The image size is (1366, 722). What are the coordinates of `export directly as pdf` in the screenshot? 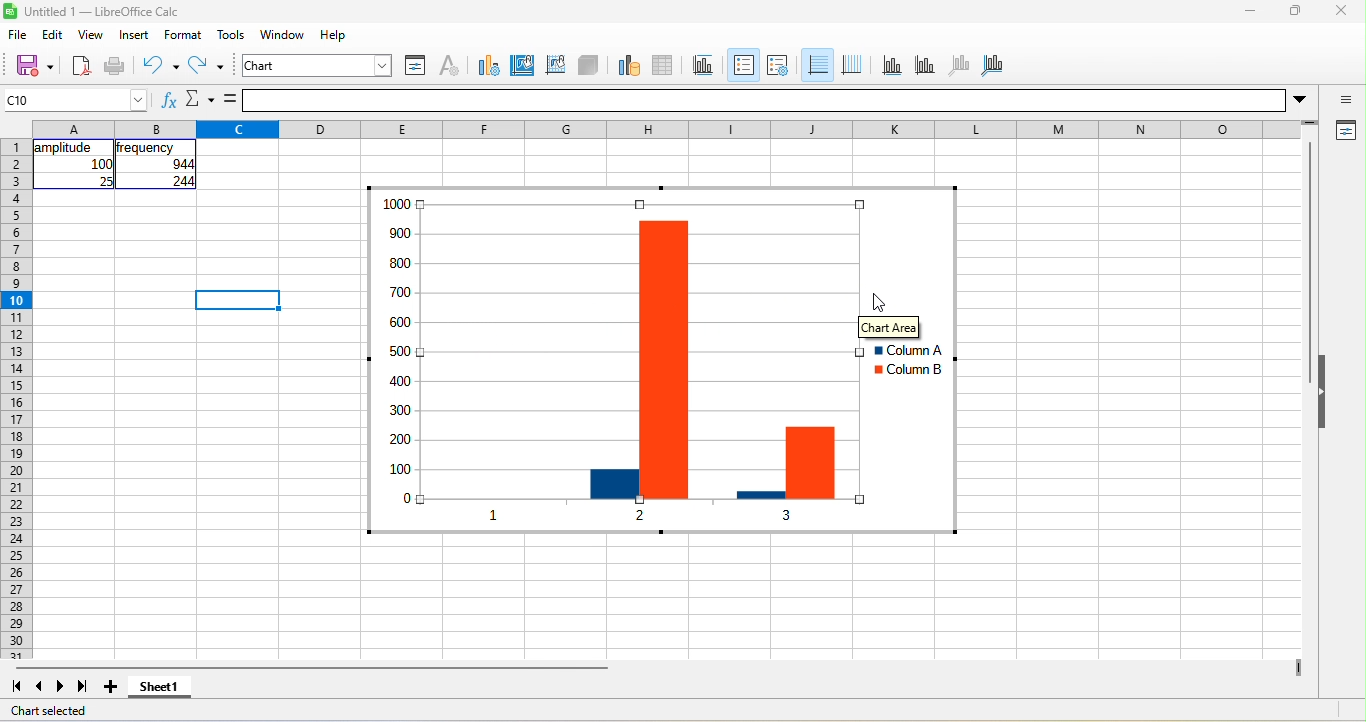 It's located at (81, 67).